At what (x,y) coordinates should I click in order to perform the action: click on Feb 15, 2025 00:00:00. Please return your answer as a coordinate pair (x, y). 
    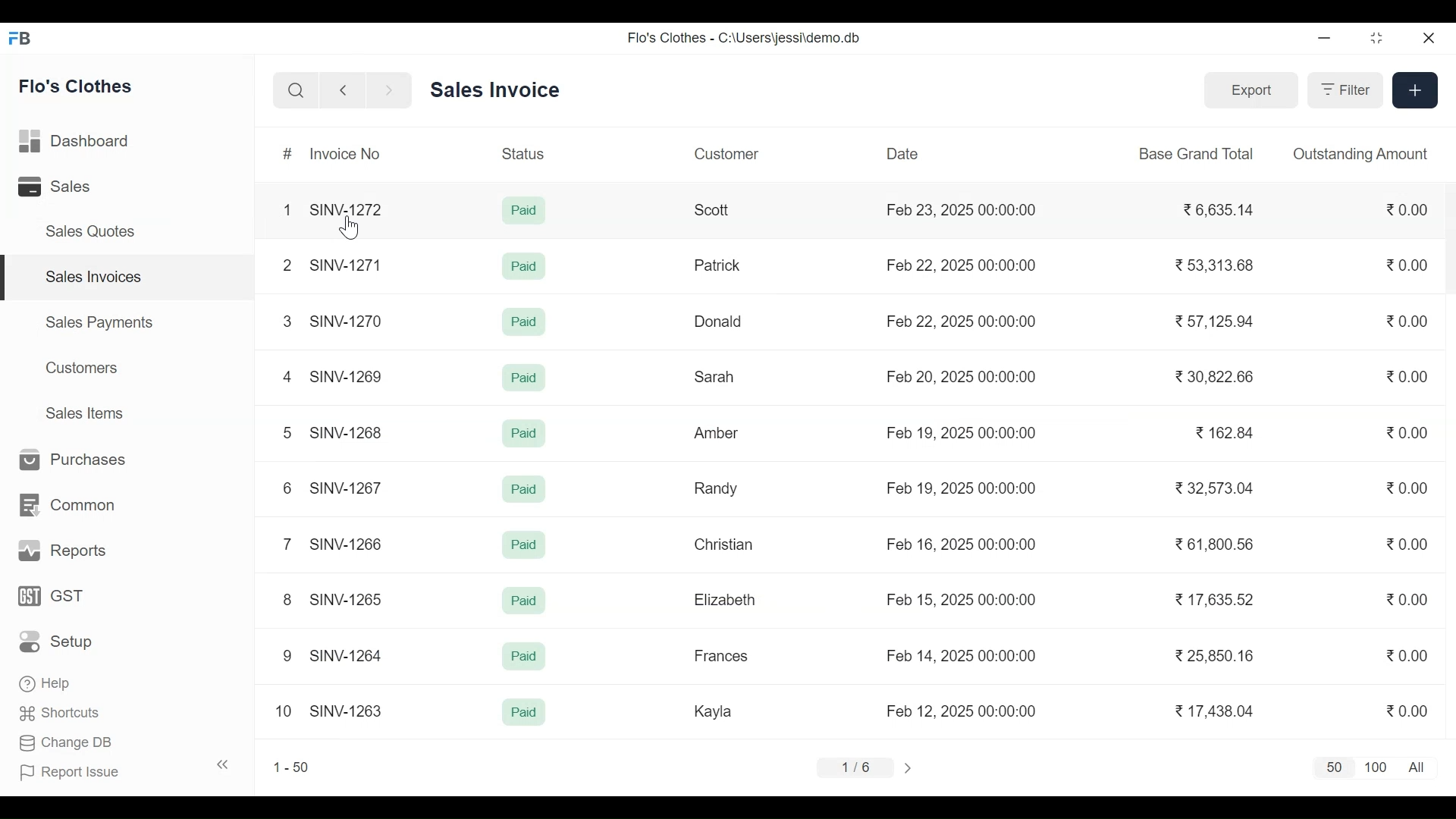
    Looking at the image, I should click on (963, 598).